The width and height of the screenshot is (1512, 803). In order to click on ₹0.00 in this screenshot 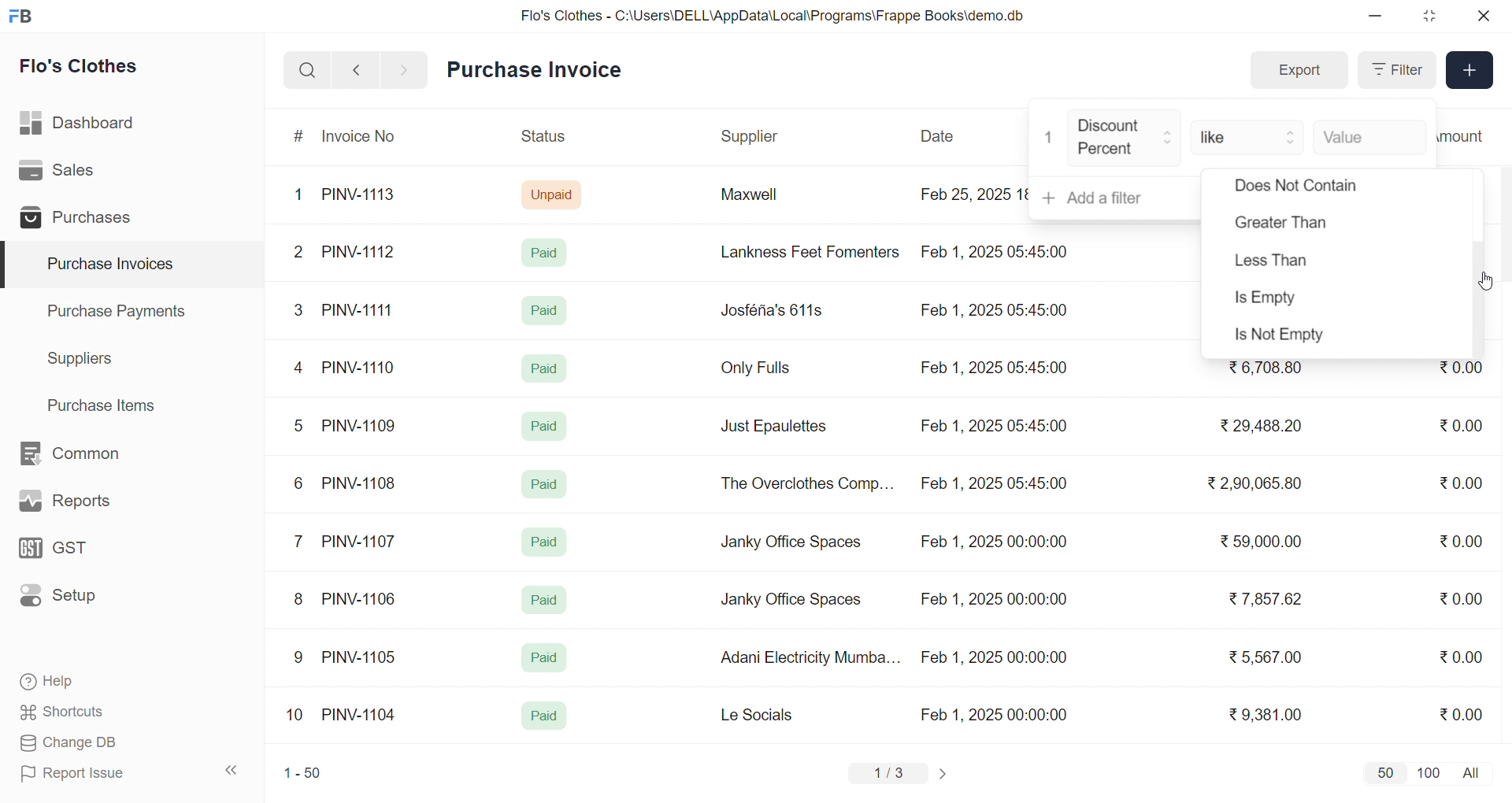, I will do `click(1466, 539)`.